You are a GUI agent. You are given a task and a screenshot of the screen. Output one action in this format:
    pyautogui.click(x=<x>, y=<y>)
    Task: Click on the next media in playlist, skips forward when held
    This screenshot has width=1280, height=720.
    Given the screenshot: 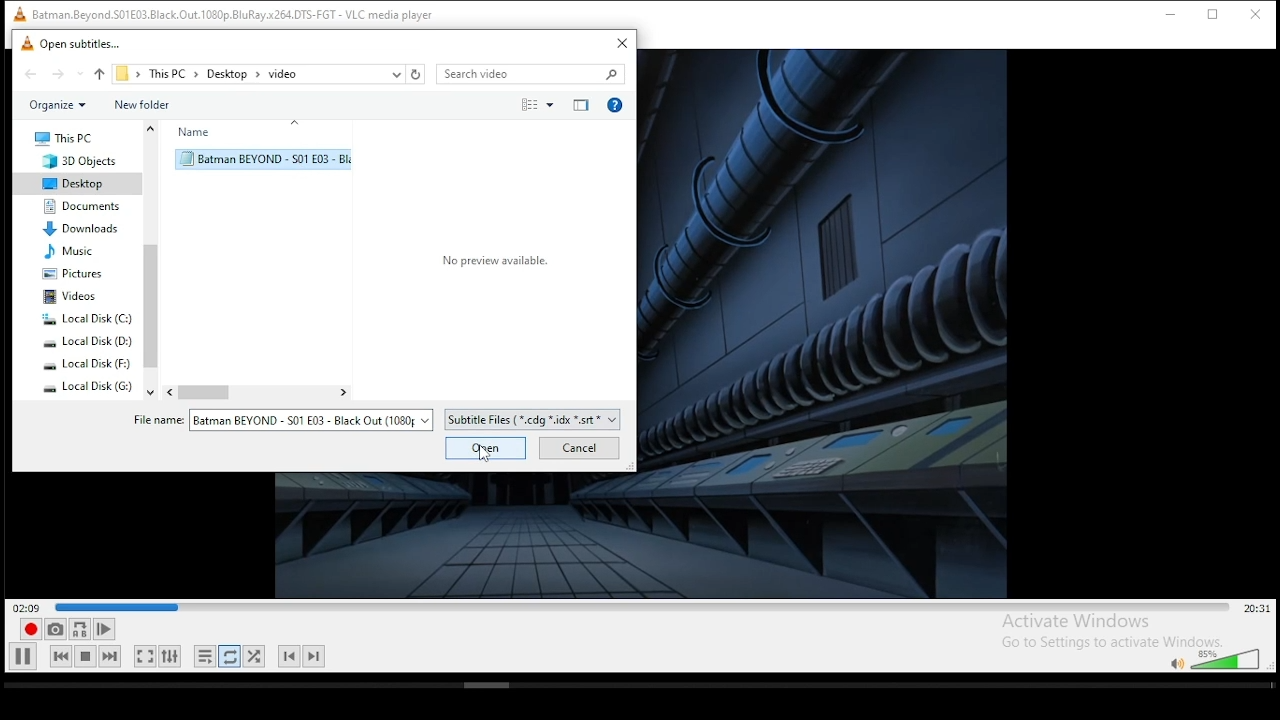 What is the action you would take?
    pyautogui.click(x=111, y=656)
    